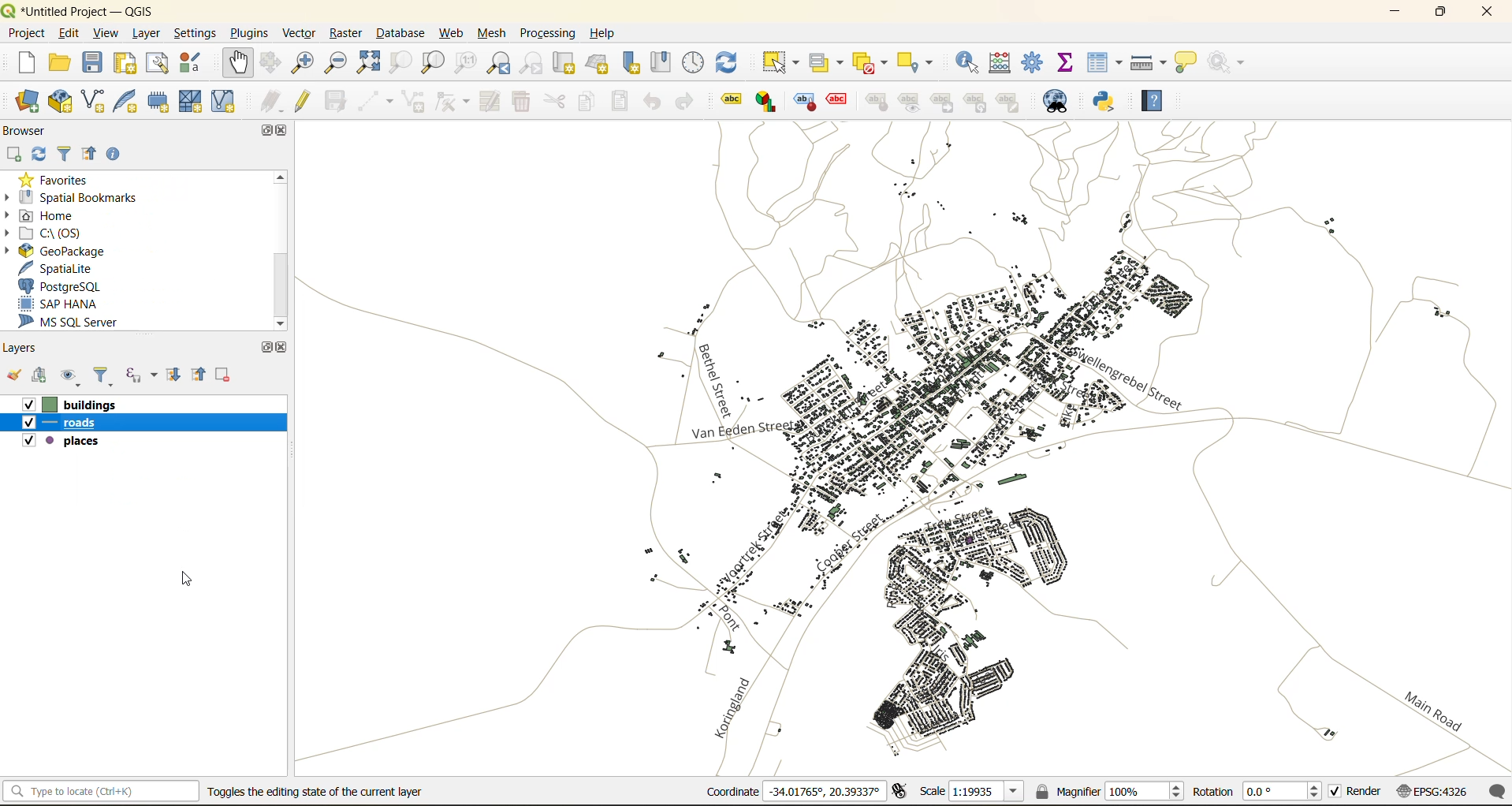 This screenshot has width=1512, height=806. What do you see at coordinates (555, 102) in the screenshot?
I see `cut` at bounding box center [555, 102].